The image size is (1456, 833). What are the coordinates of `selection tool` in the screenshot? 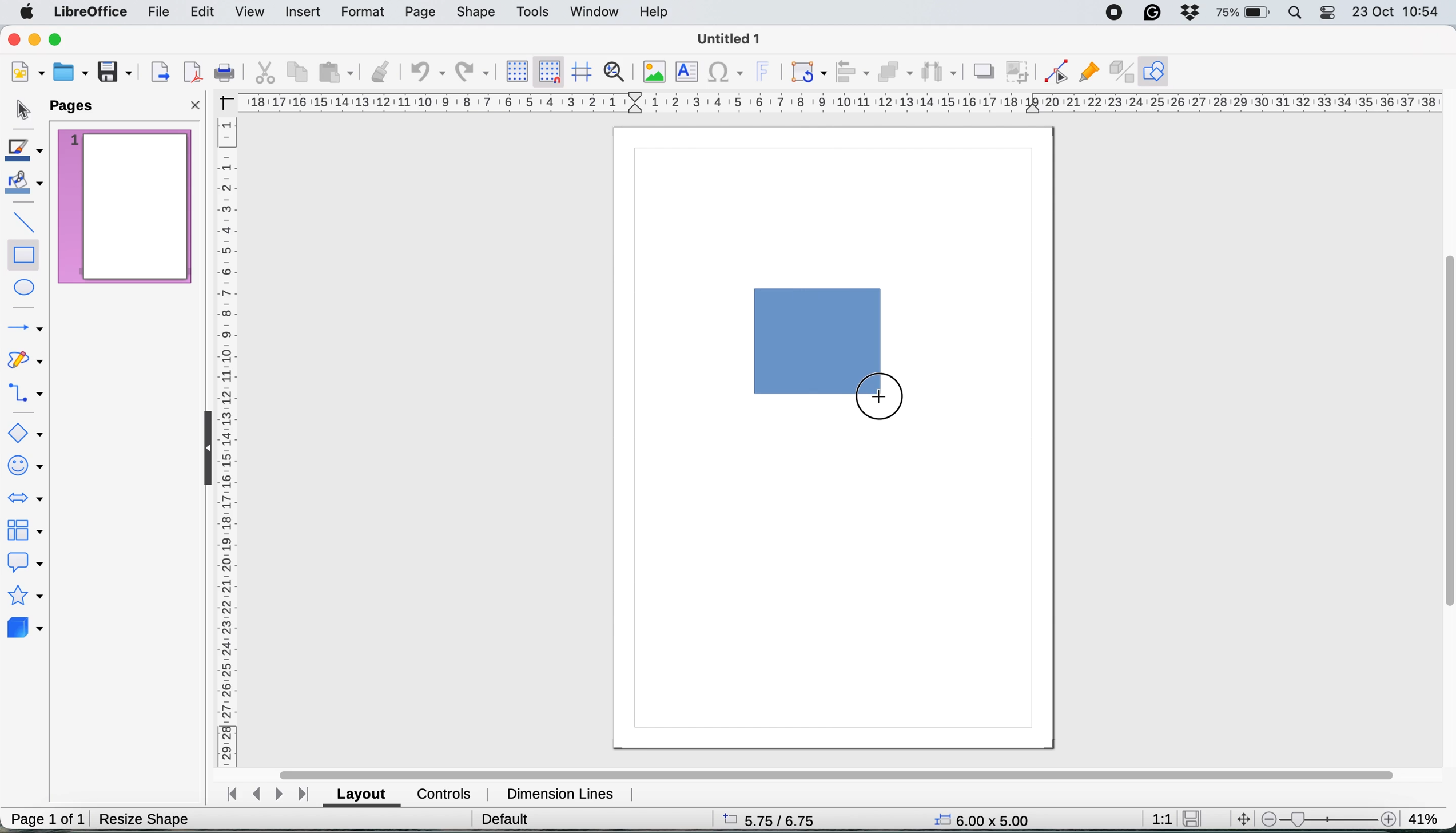 It's located at (23, 112).